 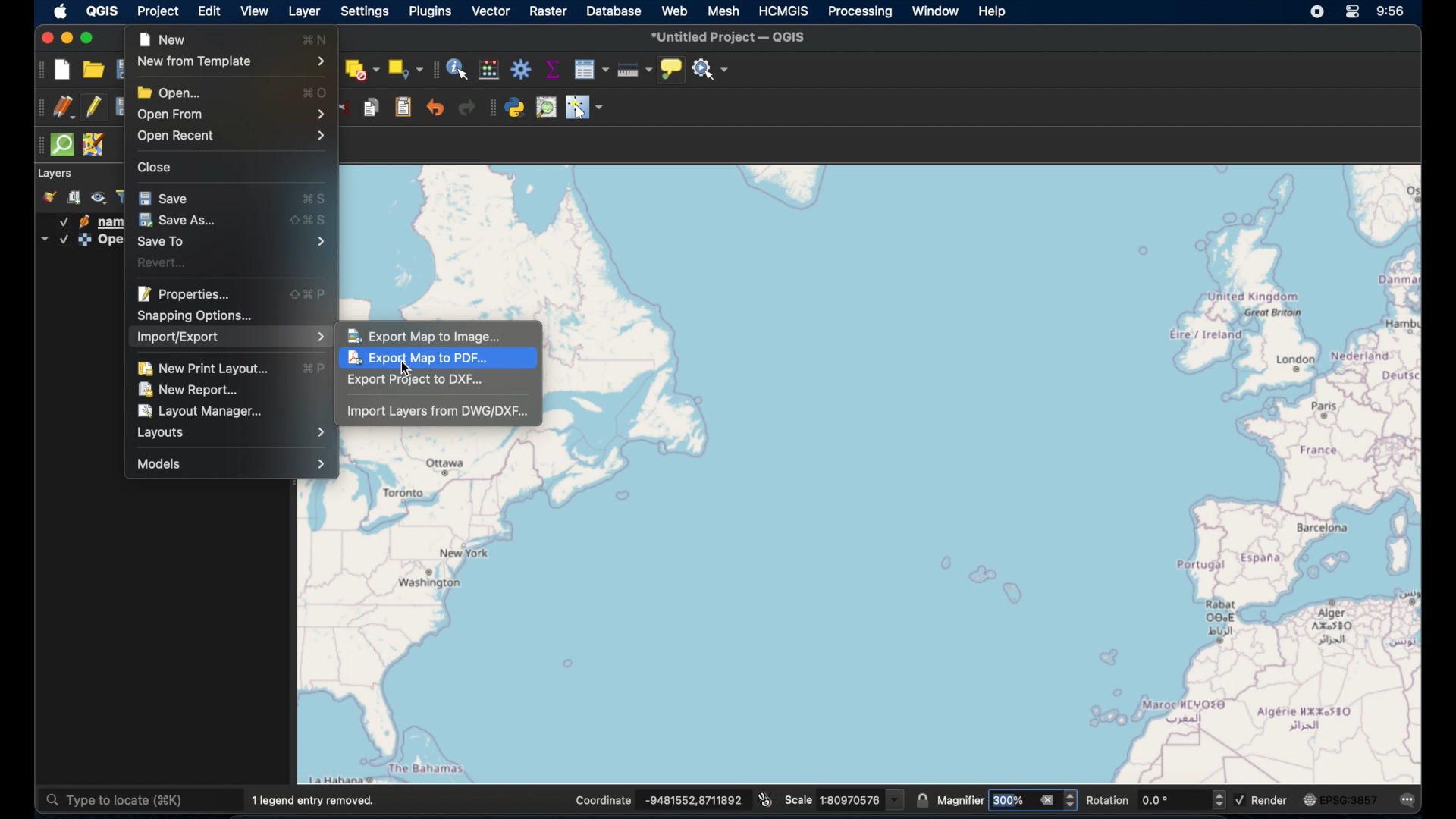 I want to click on import/export, so click(x=231, y=338).